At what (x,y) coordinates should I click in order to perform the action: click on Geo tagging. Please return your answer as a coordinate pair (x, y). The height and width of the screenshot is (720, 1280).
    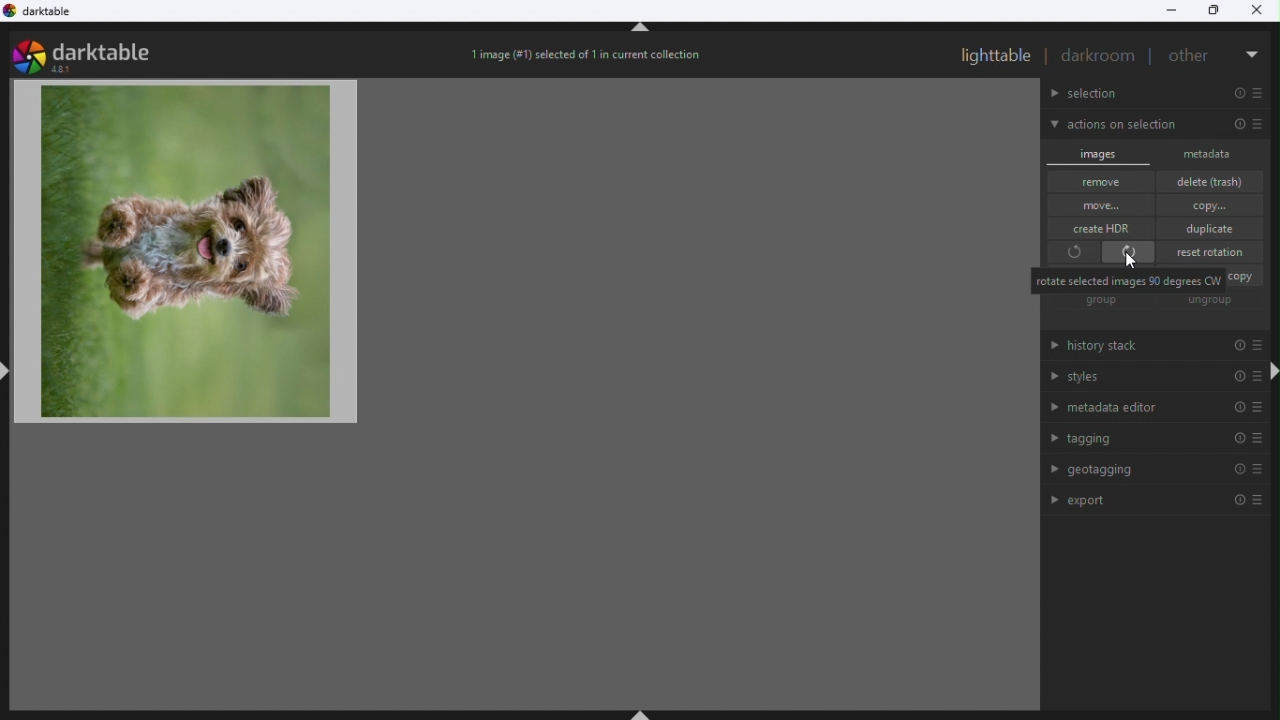
    Looking at the image, I should click on (1152, 471).